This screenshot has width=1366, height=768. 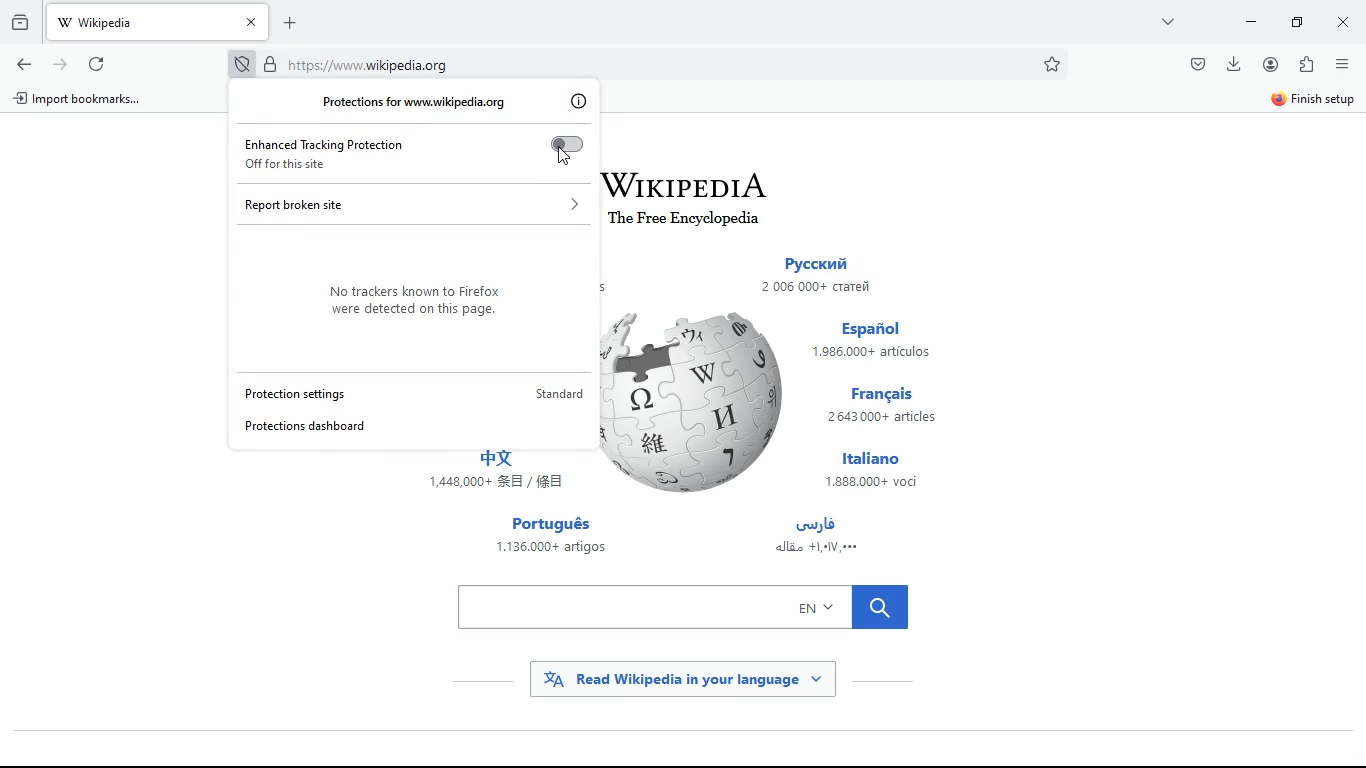 What do you see at coordinates (76, 98) in the screenshot?
I see `A) Import bookmarks...` at bounding box center [76, 98].